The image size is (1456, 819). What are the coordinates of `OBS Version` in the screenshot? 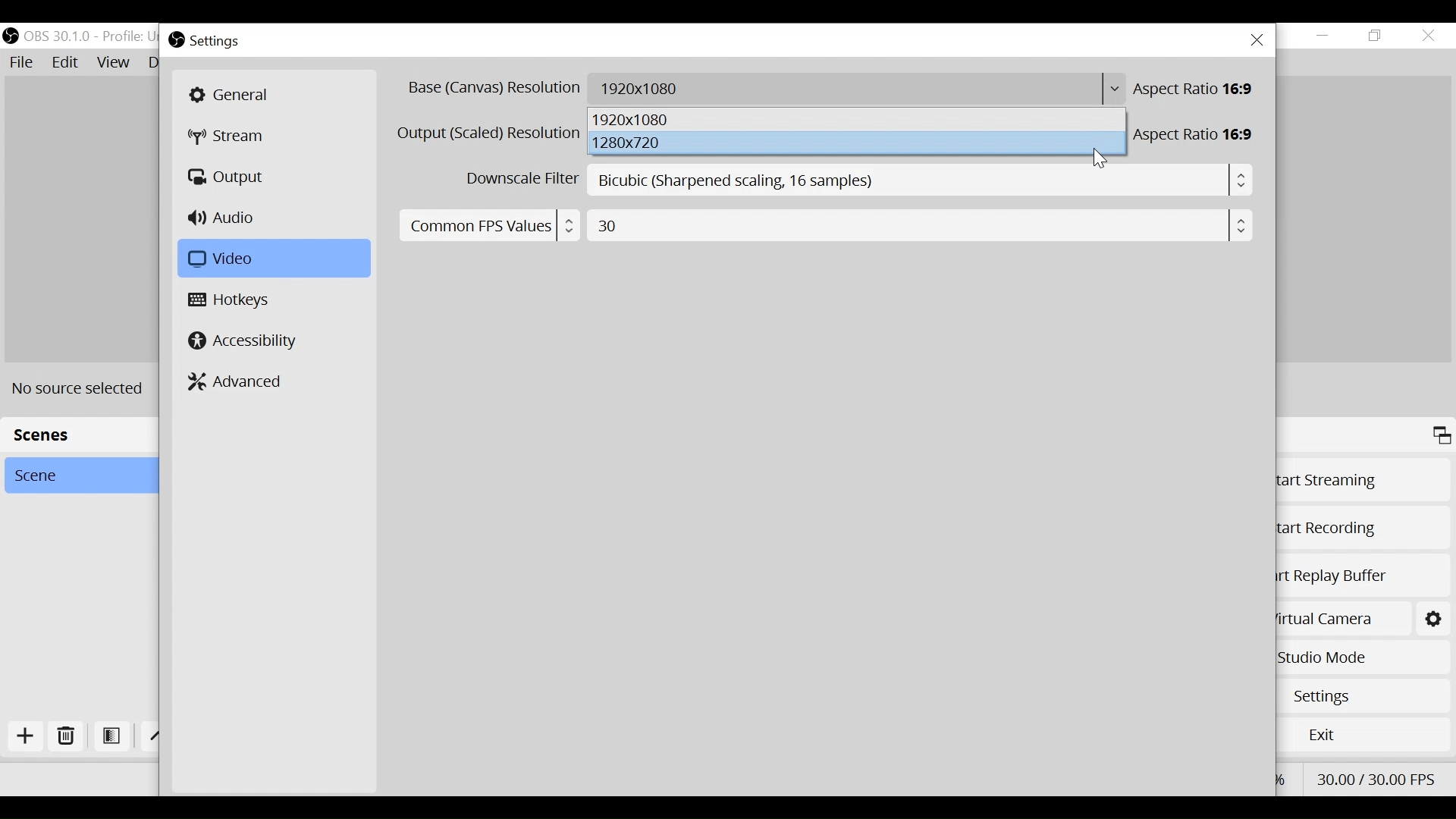 It's located at (57, 36).